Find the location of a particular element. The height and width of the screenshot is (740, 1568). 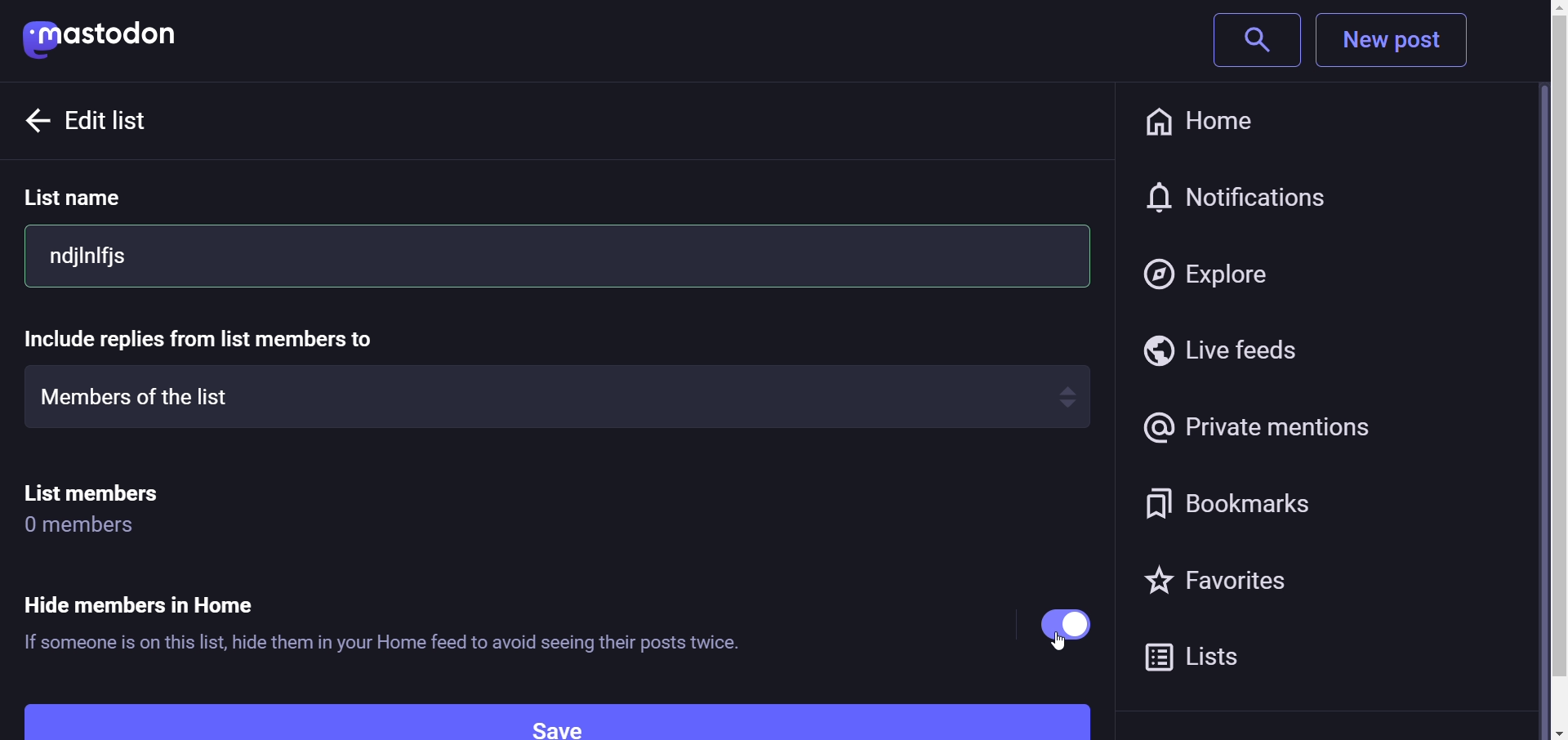

members of the list is located at coordinates (550, 395).